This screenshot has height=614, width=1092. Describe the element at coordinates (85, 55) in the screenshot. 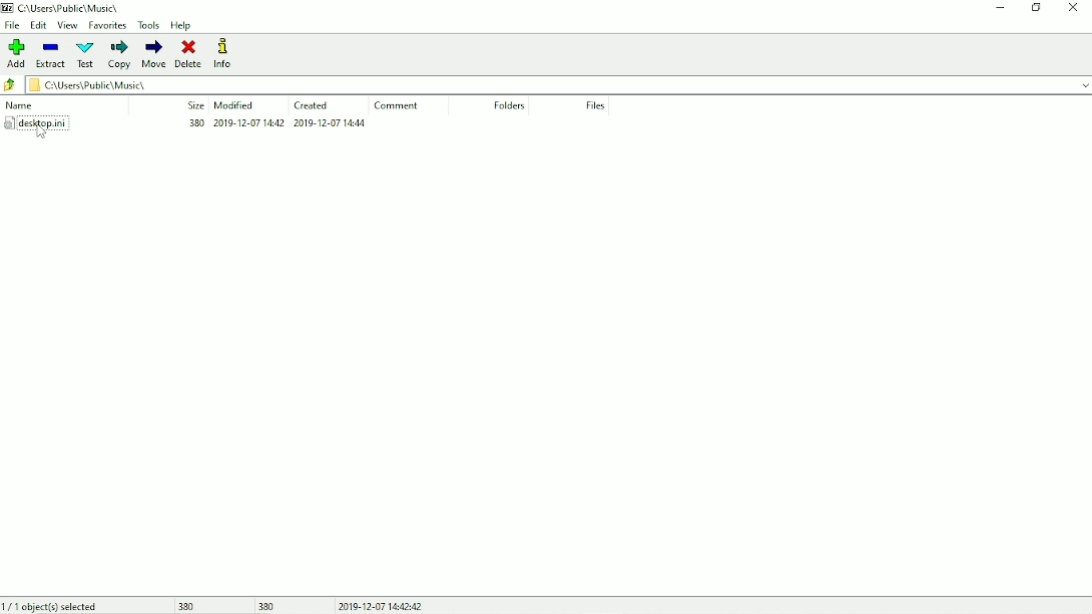

I see `Test` at that location.